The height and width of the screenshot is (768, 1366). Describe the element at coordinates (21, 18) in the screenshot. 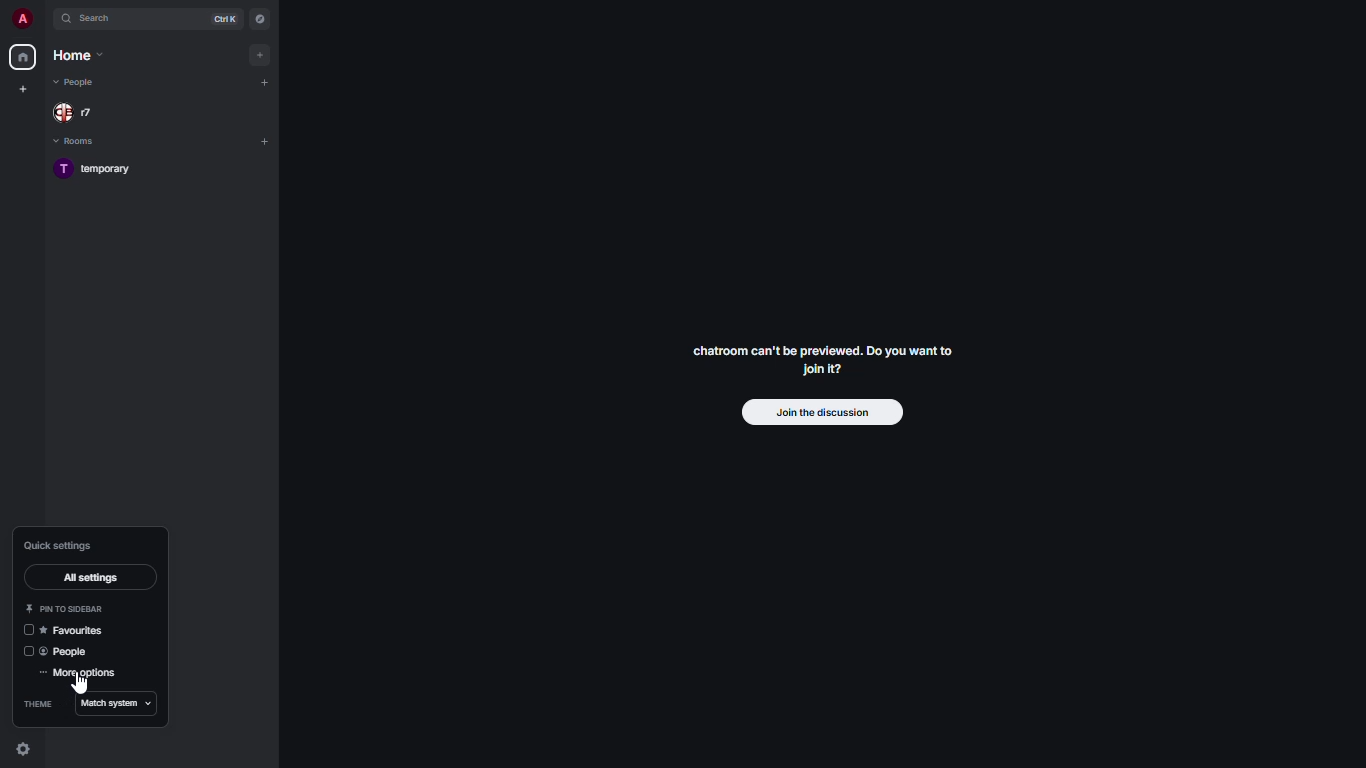

I see `profile` at that location.